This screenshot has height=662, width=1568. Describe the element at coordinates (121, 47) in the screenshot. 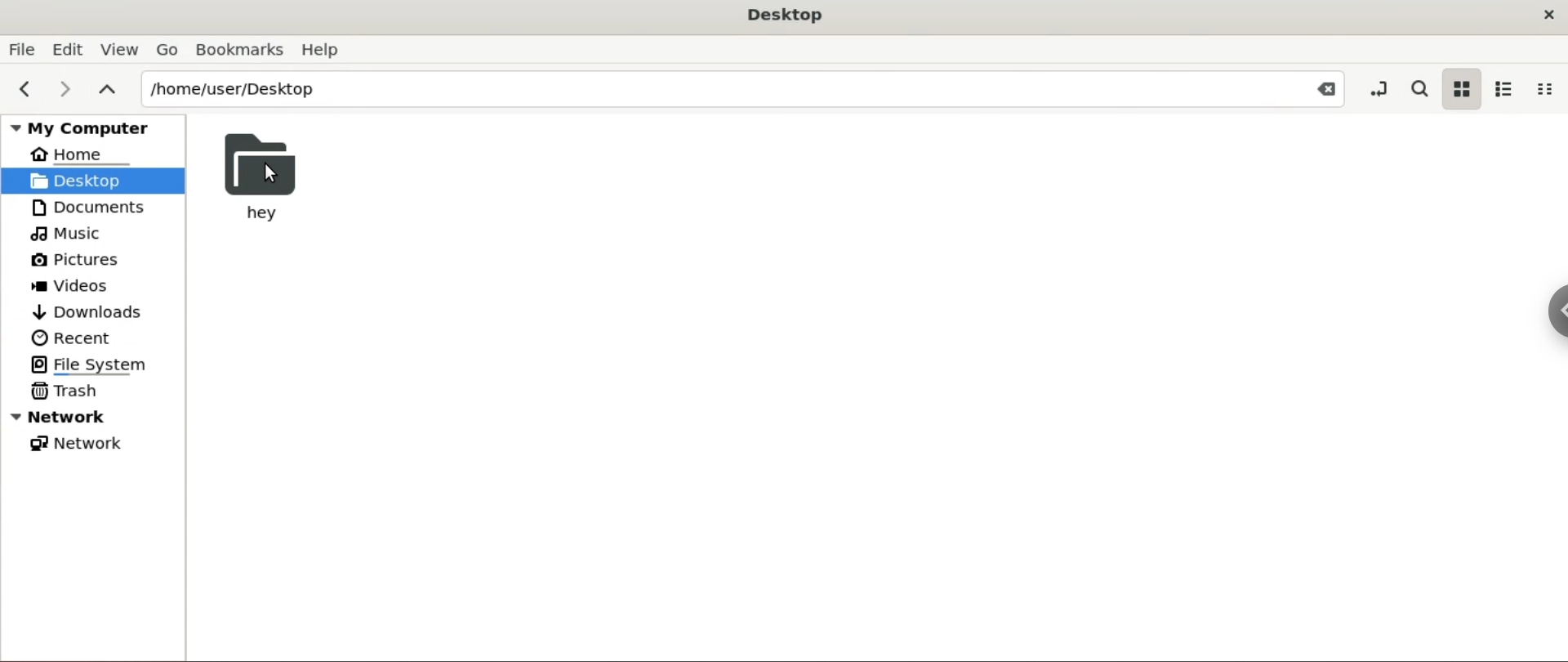

I see `View` at that location.